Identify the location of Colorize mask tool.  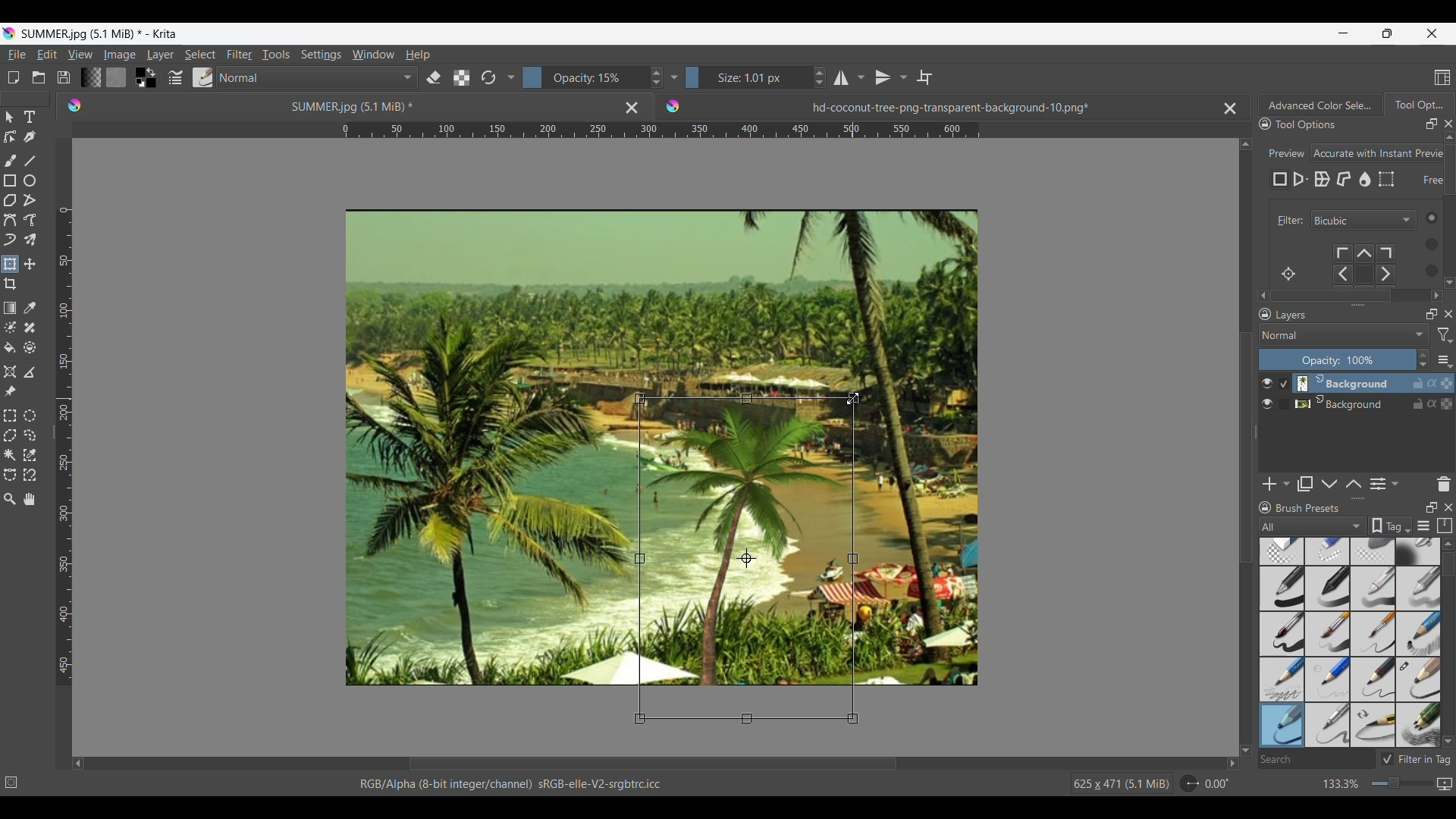
(11, 327).